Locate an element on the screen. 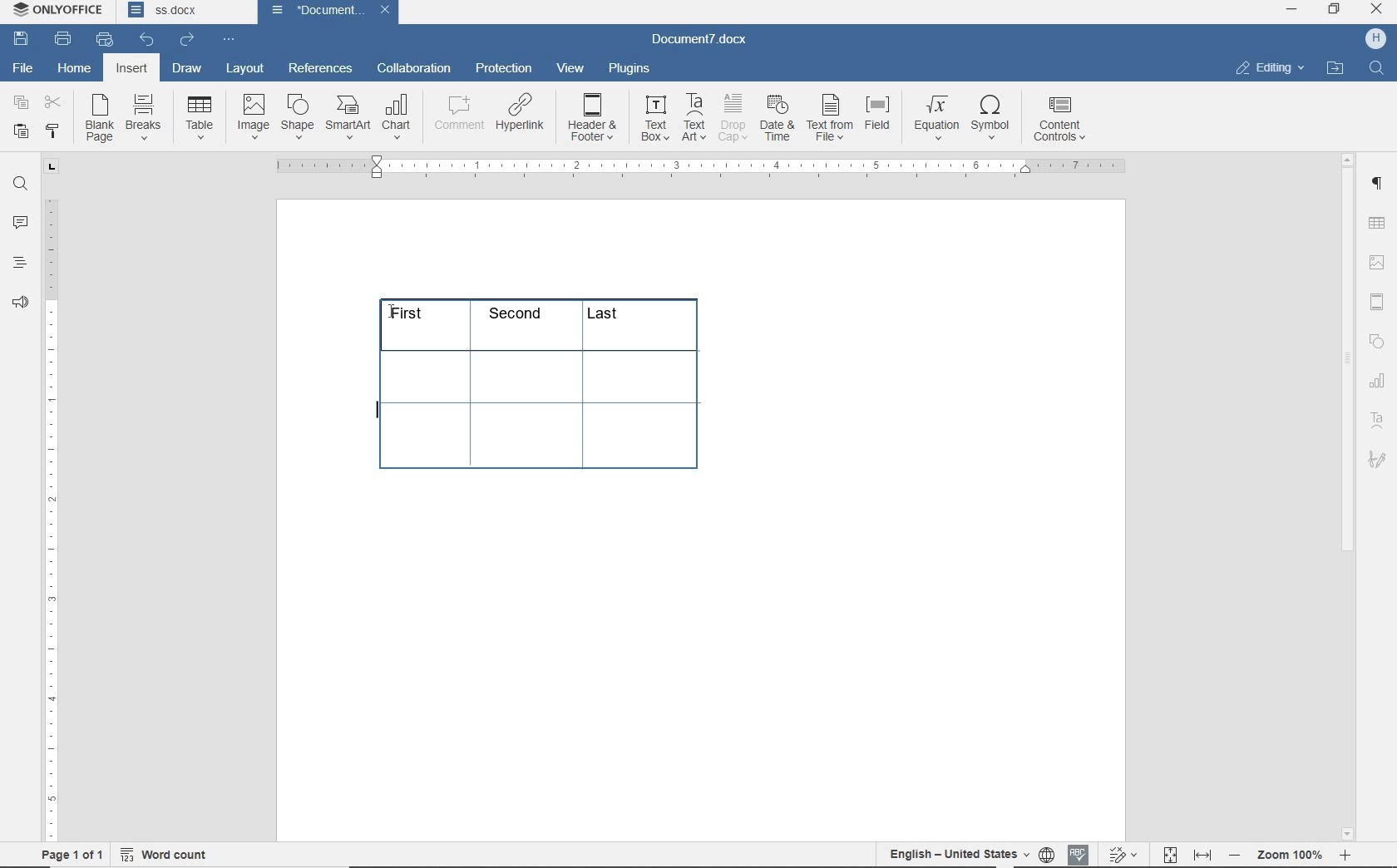 The height and width of the screenshot is (868, 1397). copy style is located at coordinates (51, 131).